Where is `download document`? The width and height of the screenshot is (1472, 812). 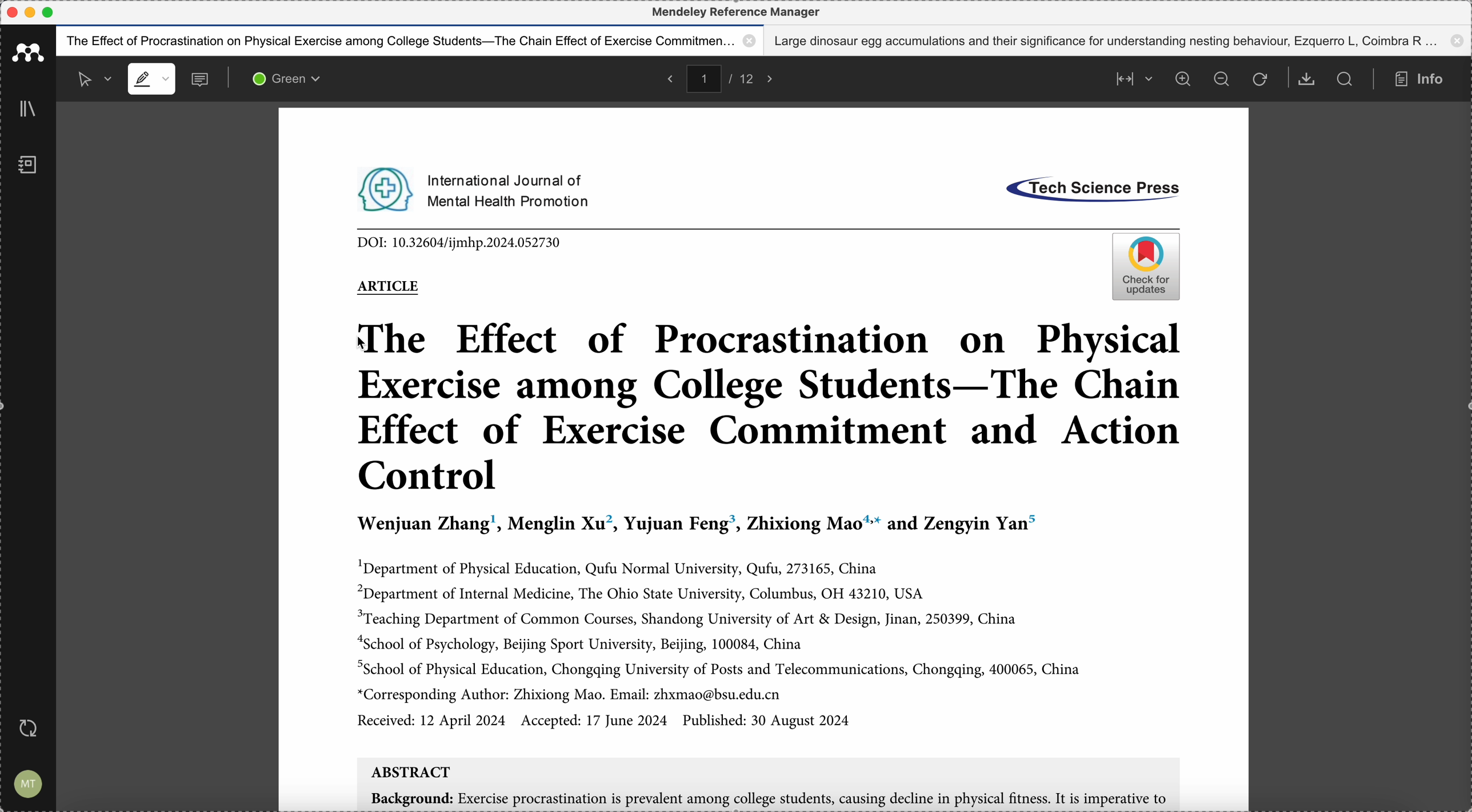
download document is located at coordinates (1307, 79).